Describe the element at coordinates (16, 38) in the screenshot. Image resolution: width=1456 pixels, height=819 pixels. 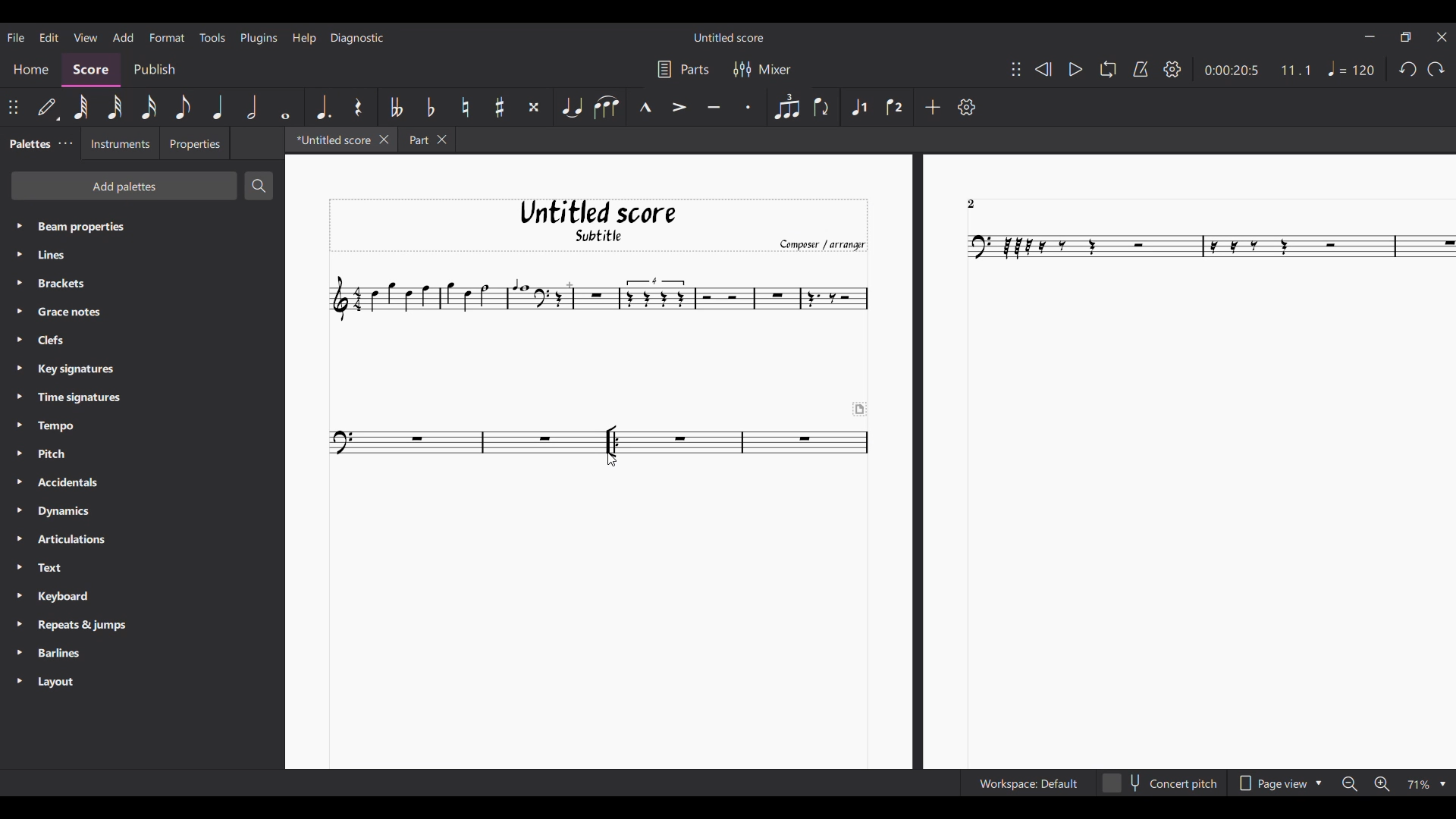
I see `File menu` at that location.